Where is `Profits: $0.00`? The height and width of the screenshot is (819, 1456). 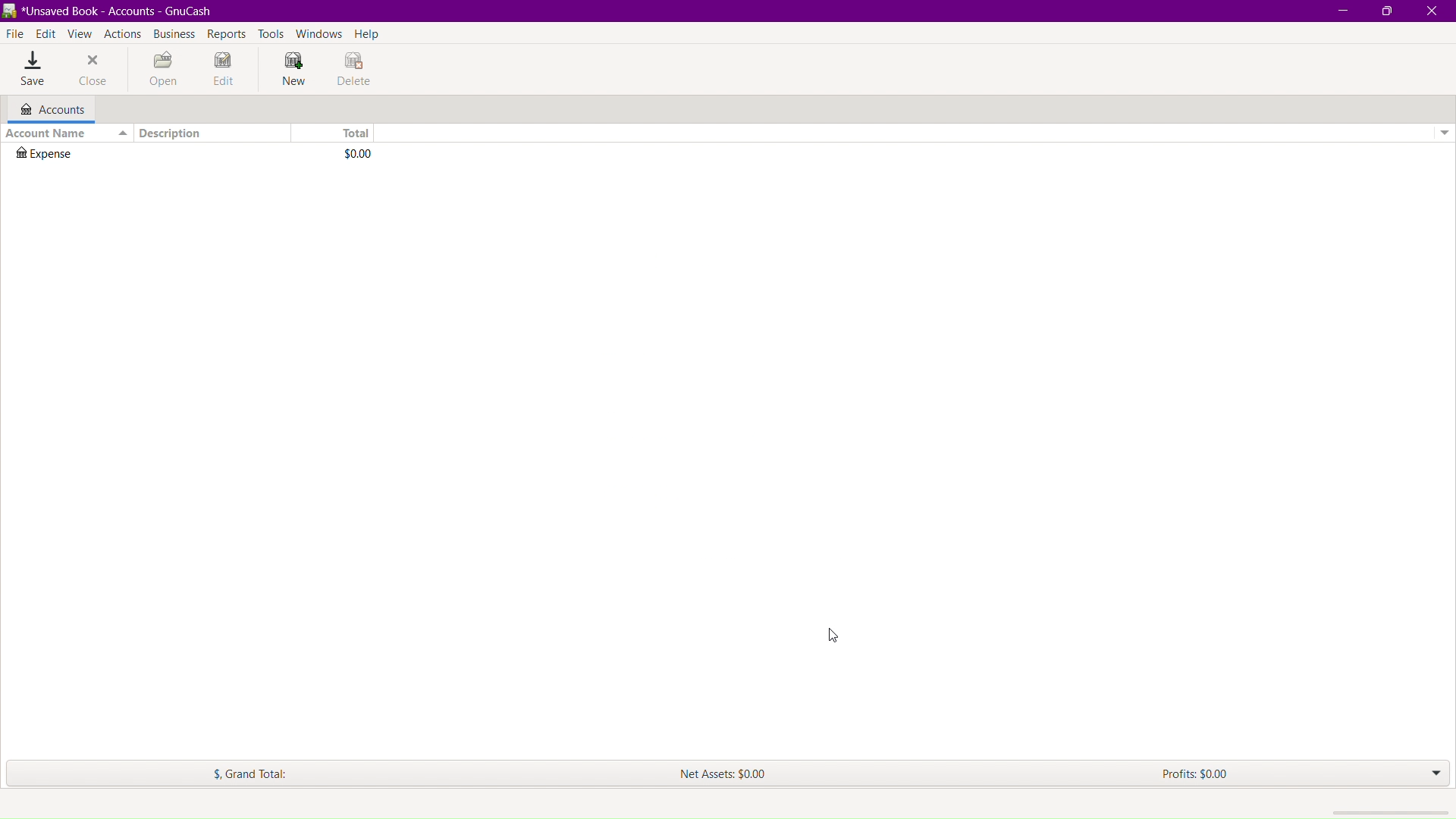 Profits: $0.00 is located at coordinates (1200, 773).